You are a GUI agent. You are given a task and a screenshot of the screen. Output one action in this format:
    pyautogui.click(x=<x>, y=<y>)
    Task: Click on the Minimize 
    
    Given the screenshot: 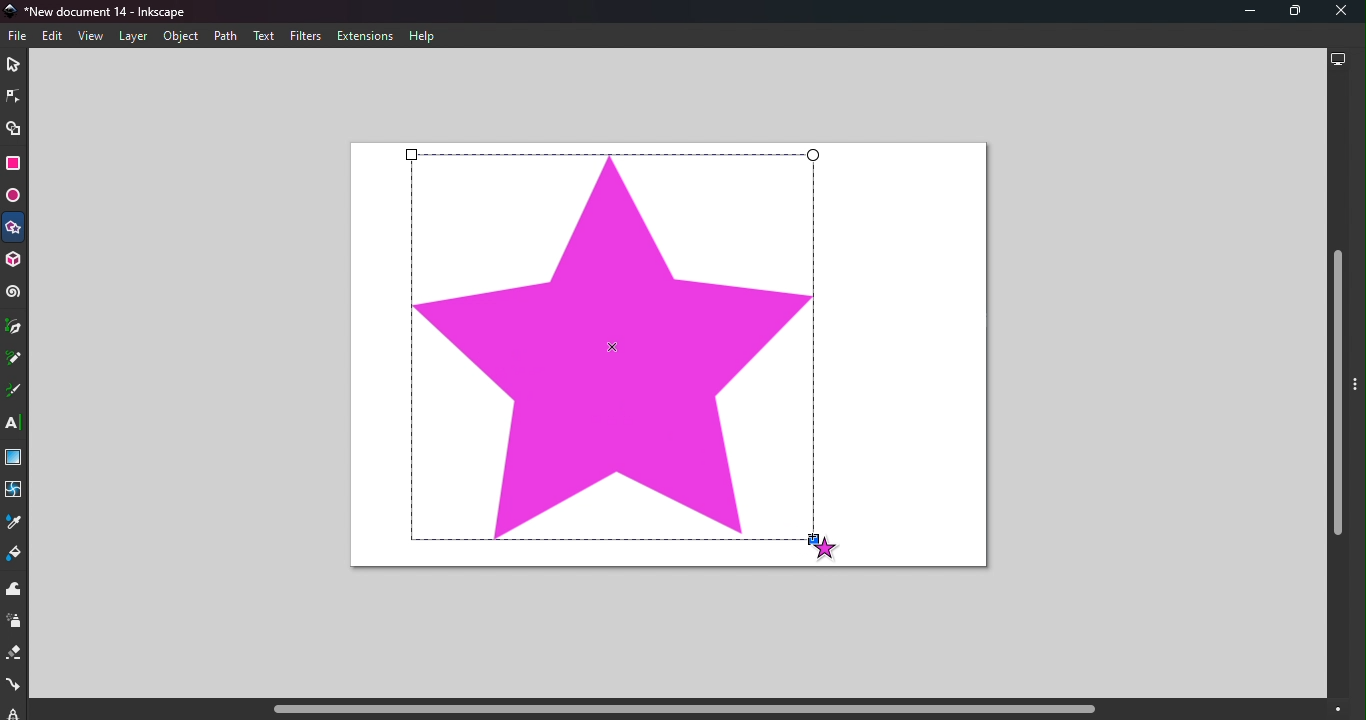 What is the action you would take?
    pyautogui.click(x=1241, y=12)
    